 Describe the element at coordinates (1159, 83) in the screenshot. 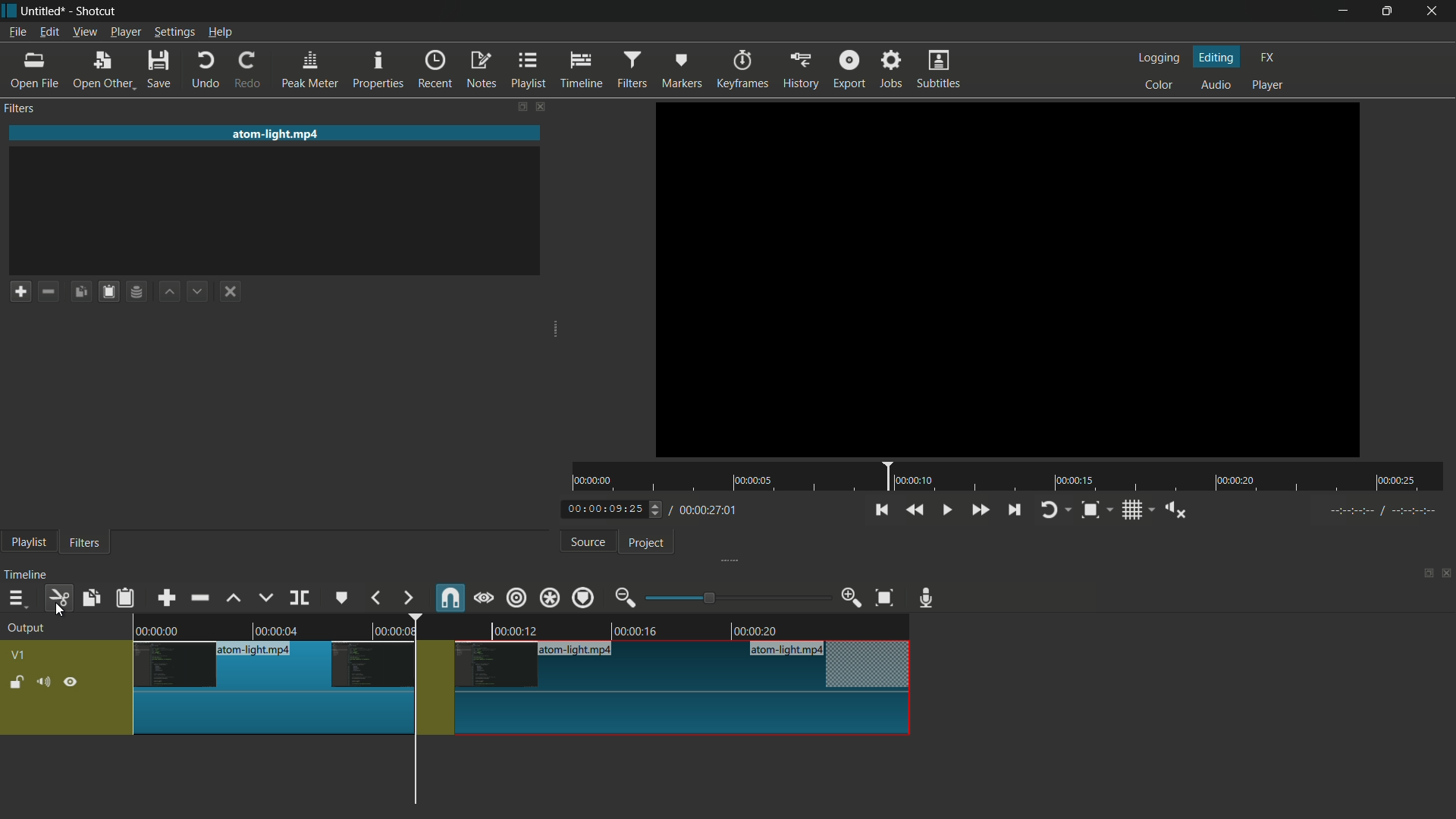

I see `color` at that location.